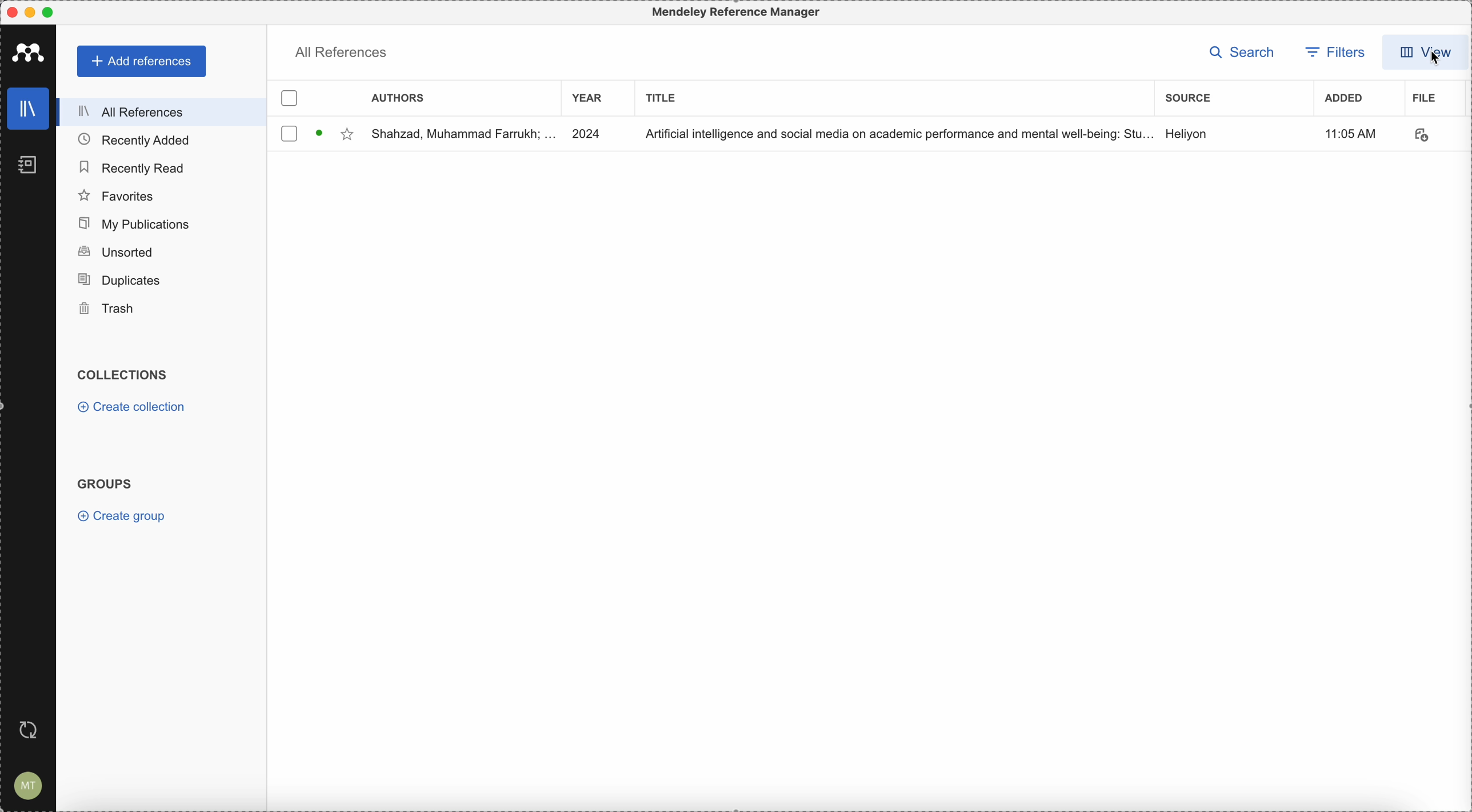  I want to click on minimize, so click(33, 12).